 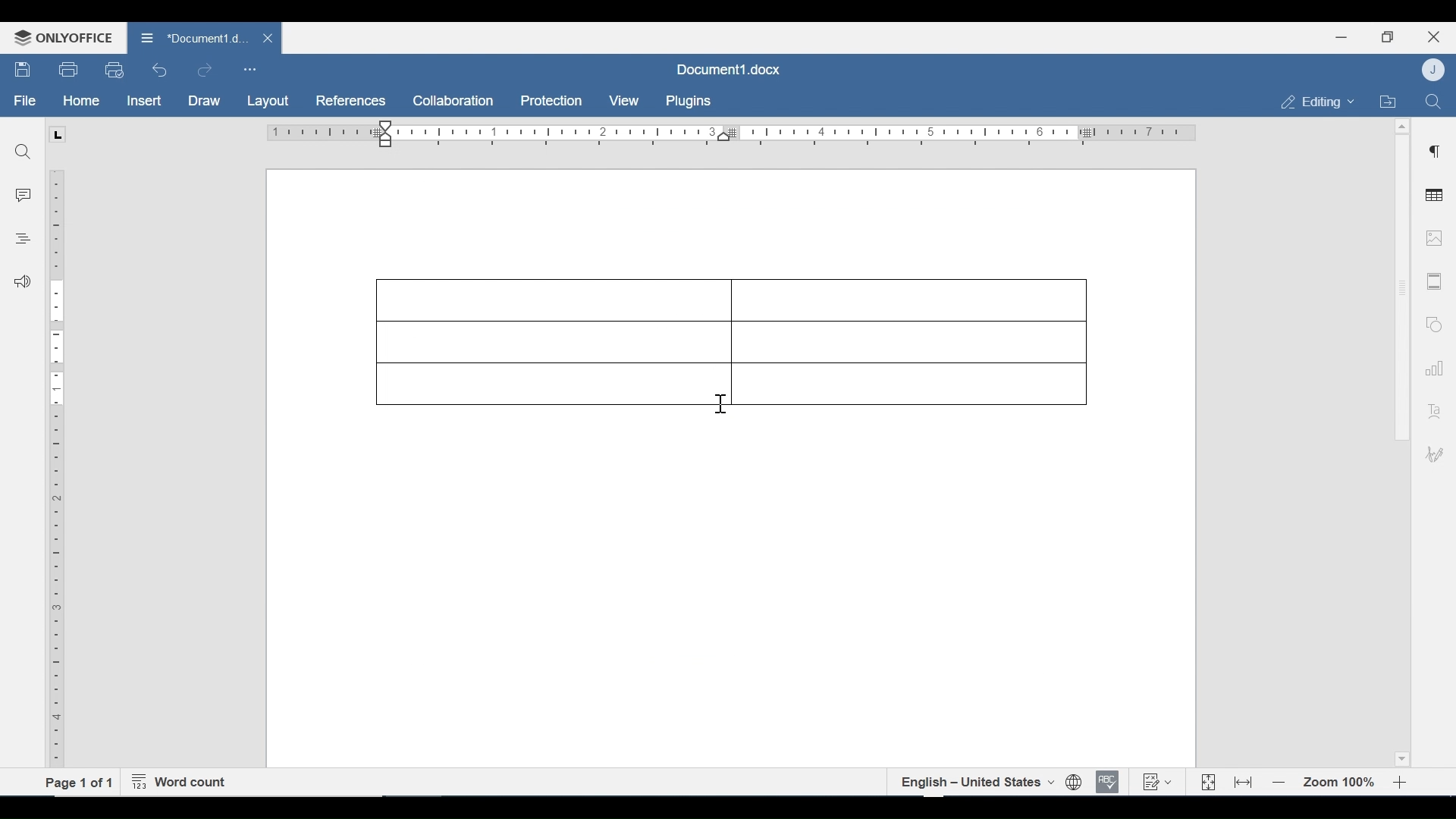 What do you see at coordinates (204, 71) in the screenshot?
I see `Redo` at bounding box center [204, 71].